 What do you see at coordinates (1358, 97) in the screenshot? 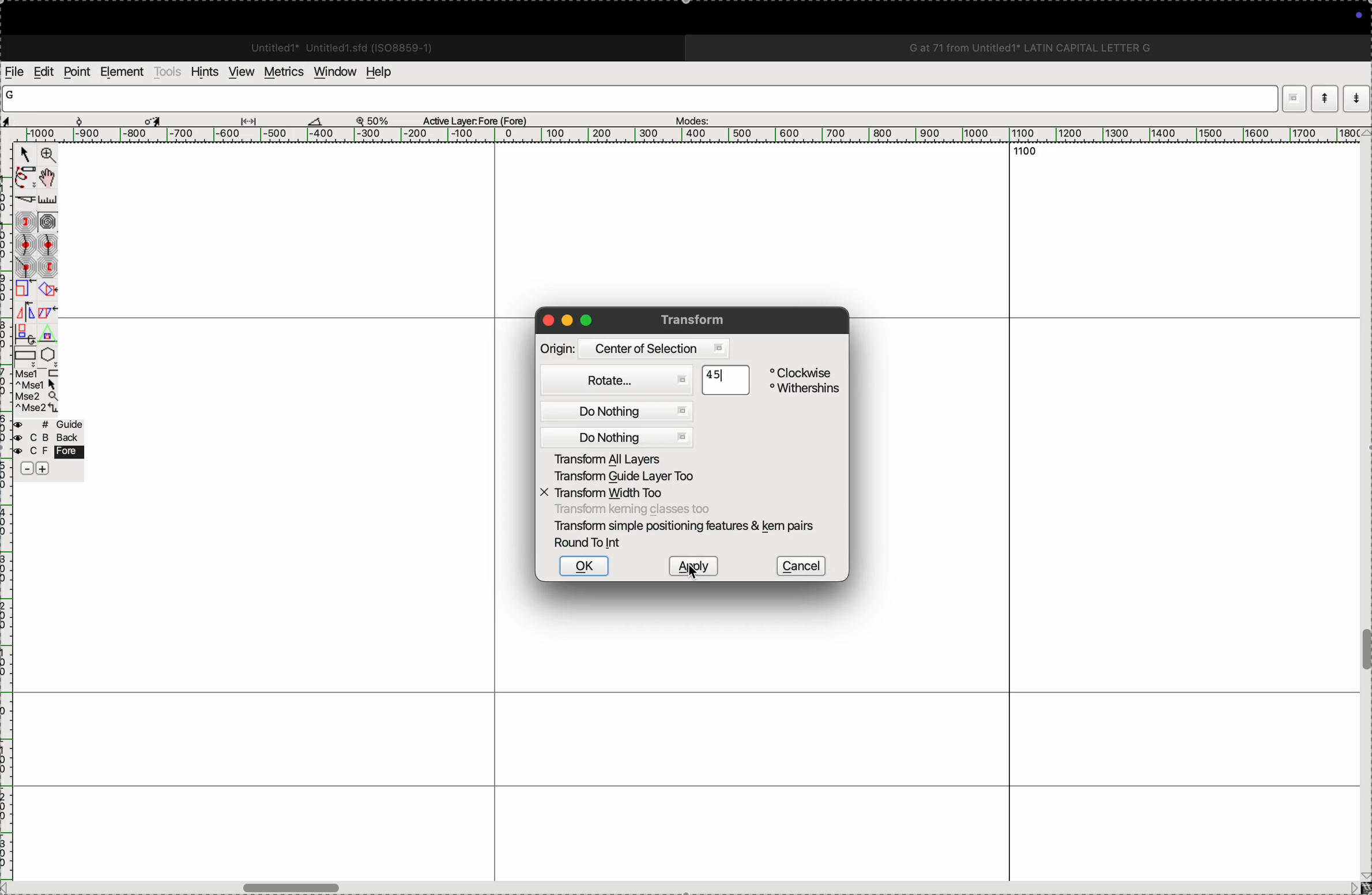
I see `show previous word list` at bounding box center [1358, 97].